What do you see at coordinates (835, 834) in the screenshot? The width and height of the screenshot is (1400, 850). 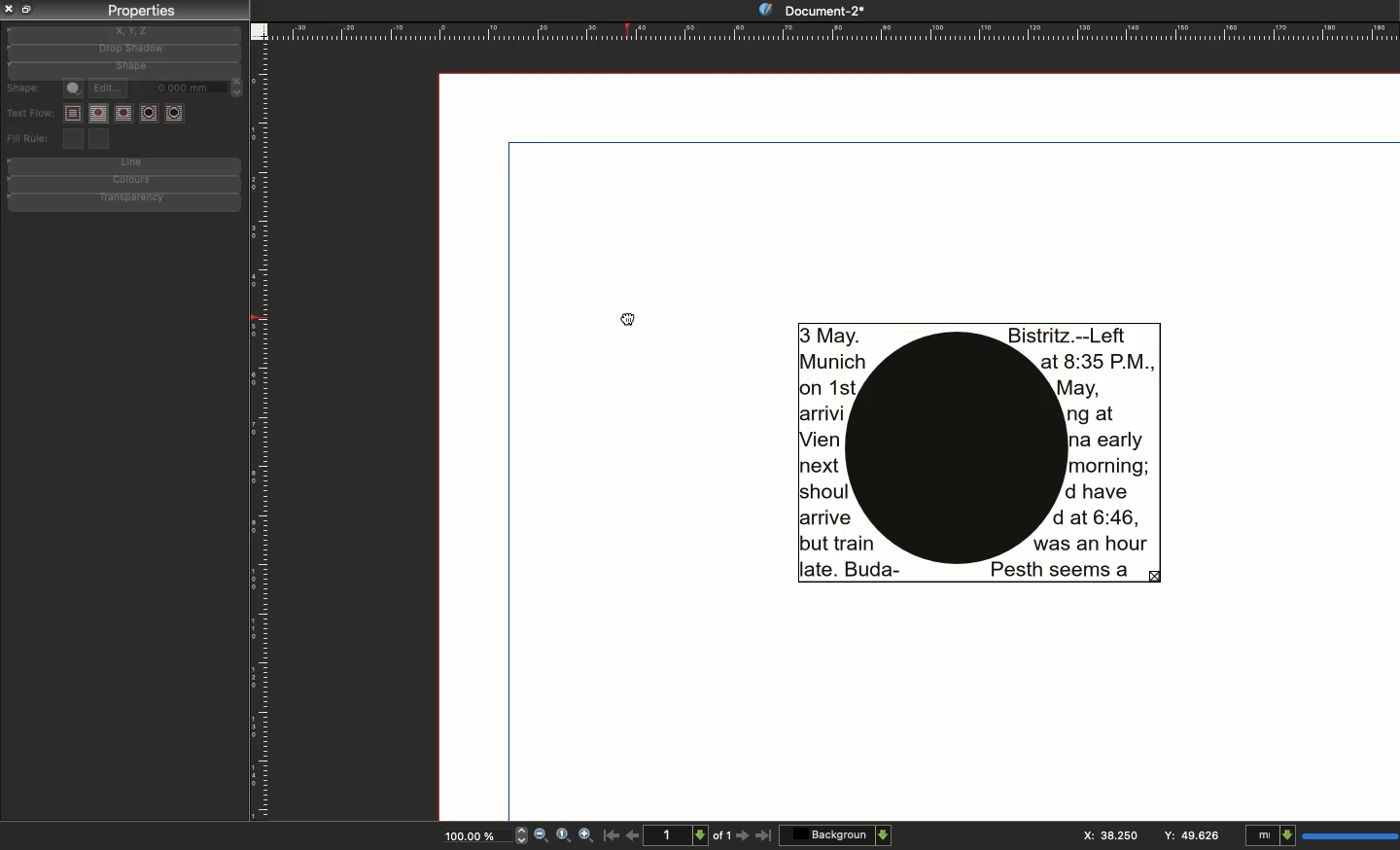 I see `Background` at bounding box center [835, 834].